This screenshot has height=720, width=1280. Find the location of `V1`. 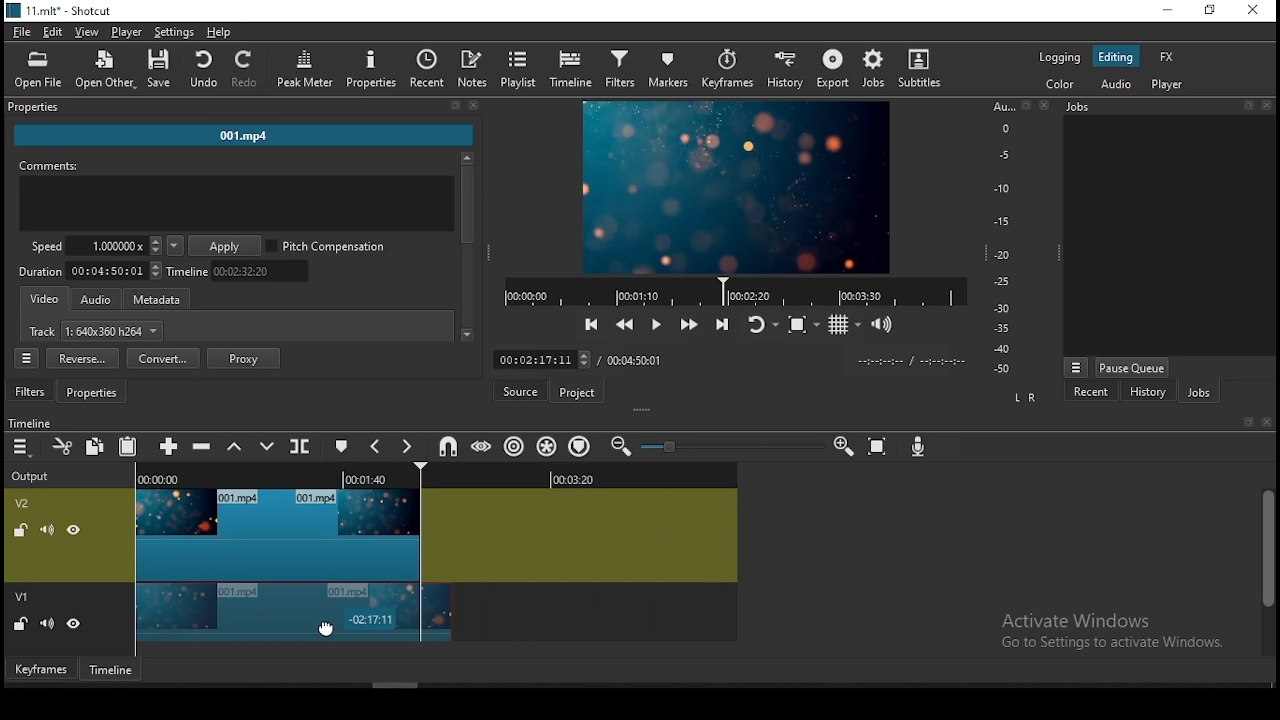

V1 is located at coordinates (24, 598).